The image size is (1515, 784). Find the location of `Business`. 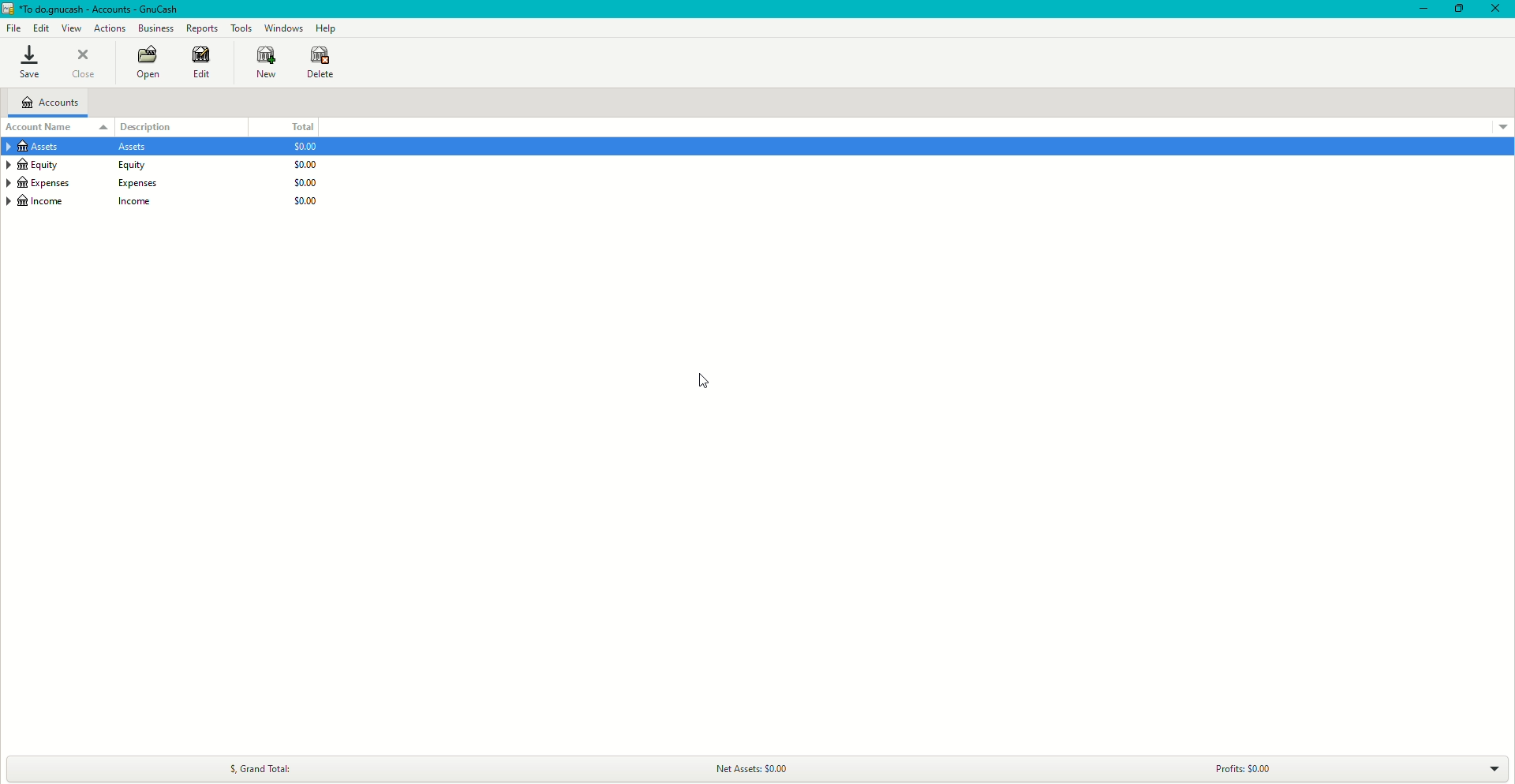

Business is located at coordinates (156, 29).